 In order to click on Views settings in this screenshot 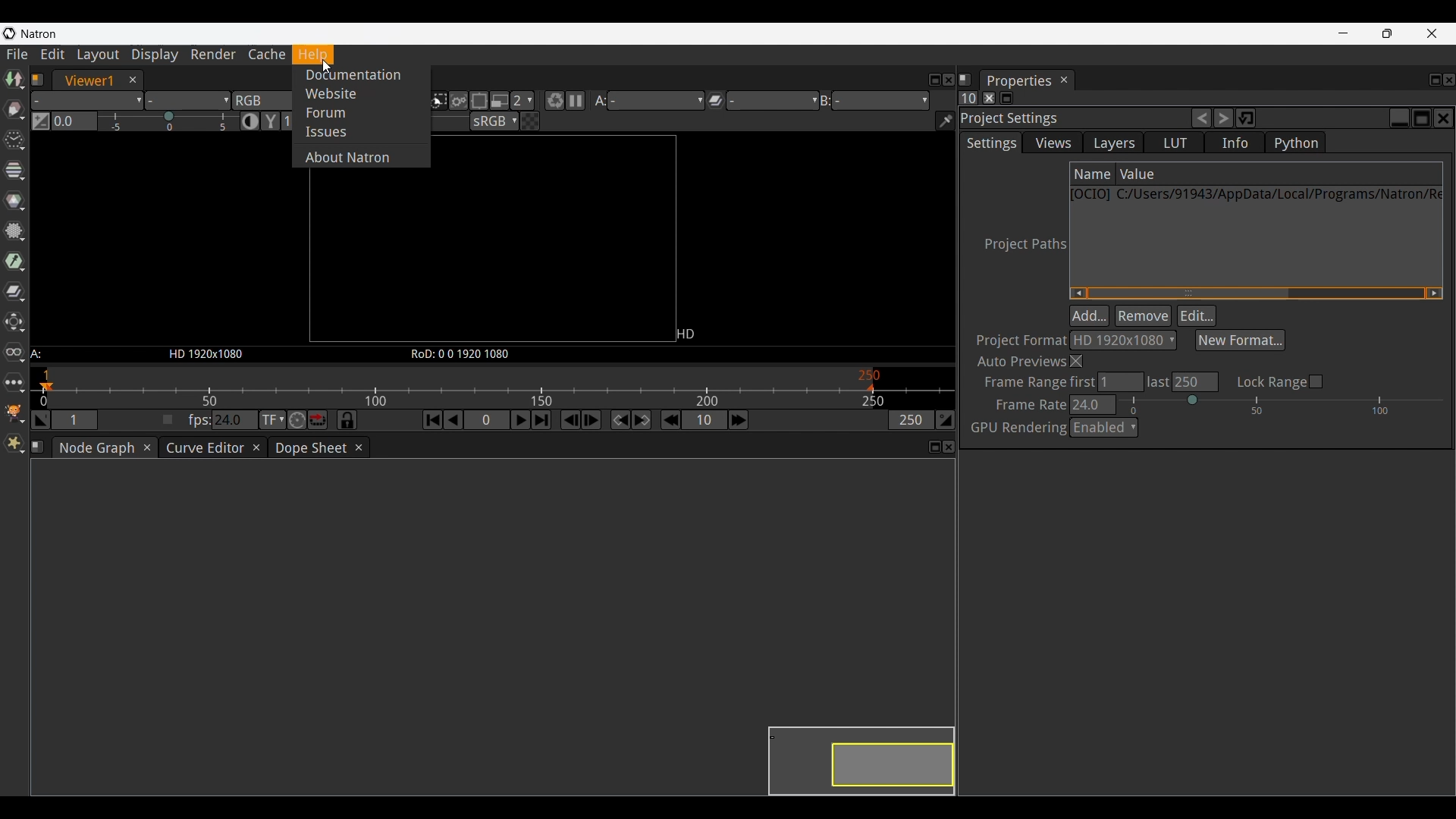, I will do `click(1053, 143)`.